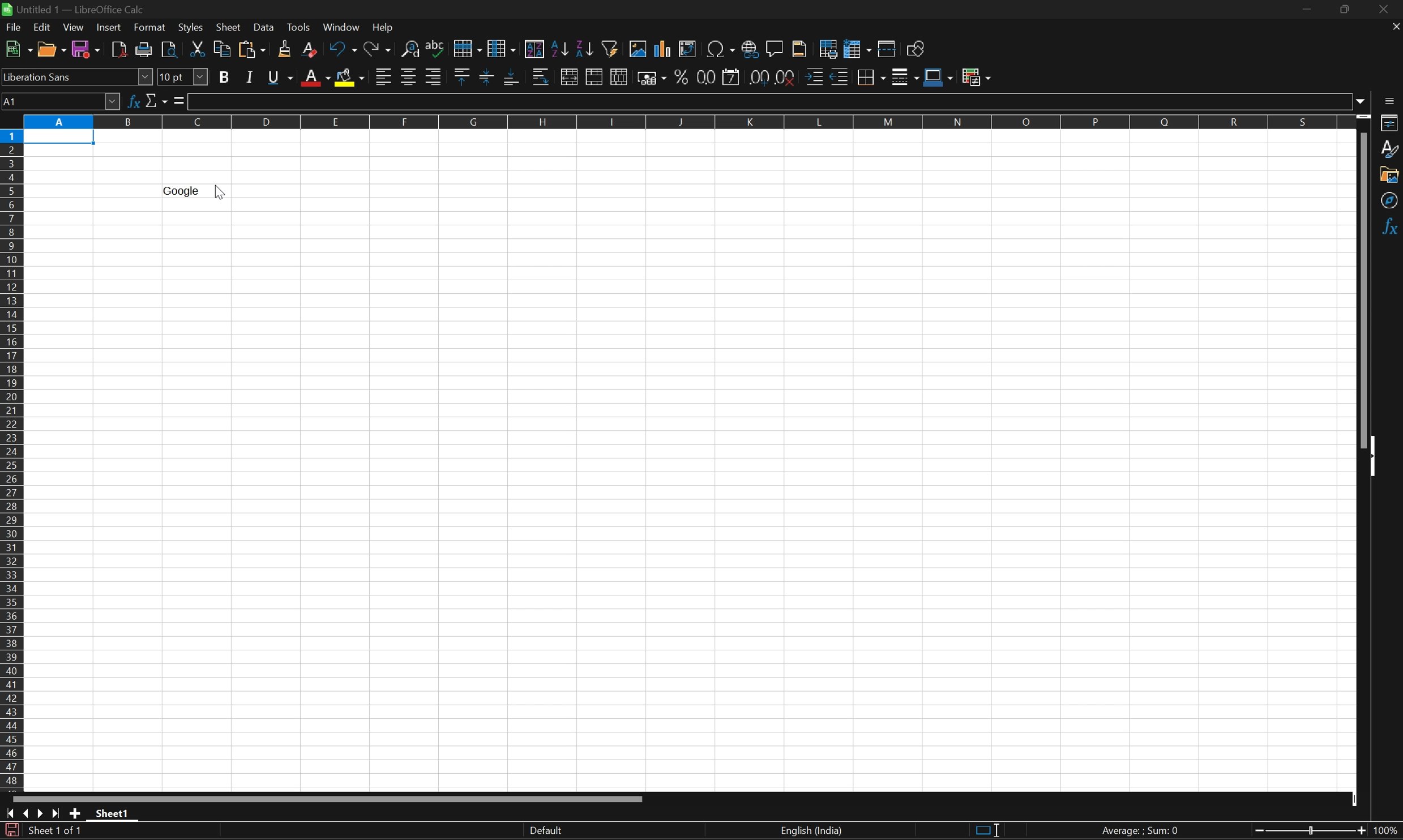  Describe the element at coordinates (86, 48) in the screenshot. I see `Save` at that location.